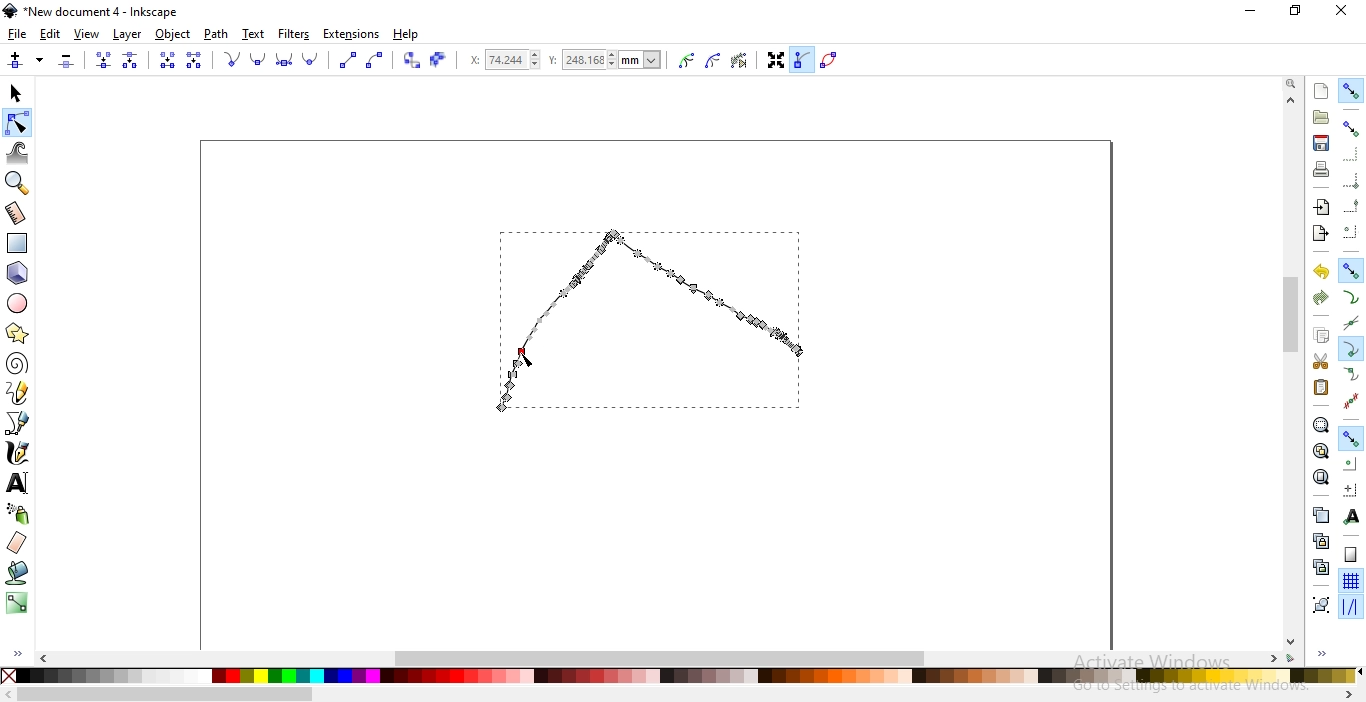  What do you see at coordinates (15, 61) in the screenshot?
I see `insert new nodes into selected segments` at bounding box center [15, 61].